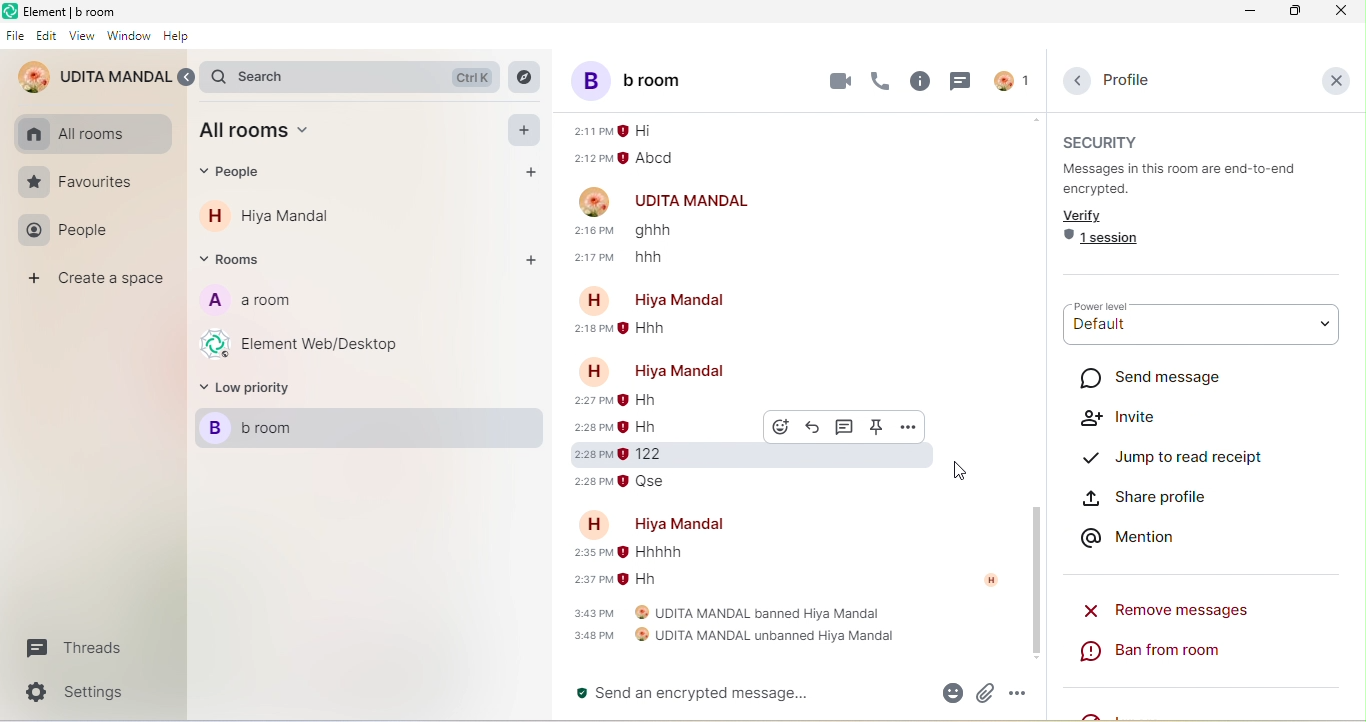 Image resolution: width=1366 pixels, height=722 pixels. Describe the element at coordinates (251, 391) in the screenshot. I see `low priority` at that location.